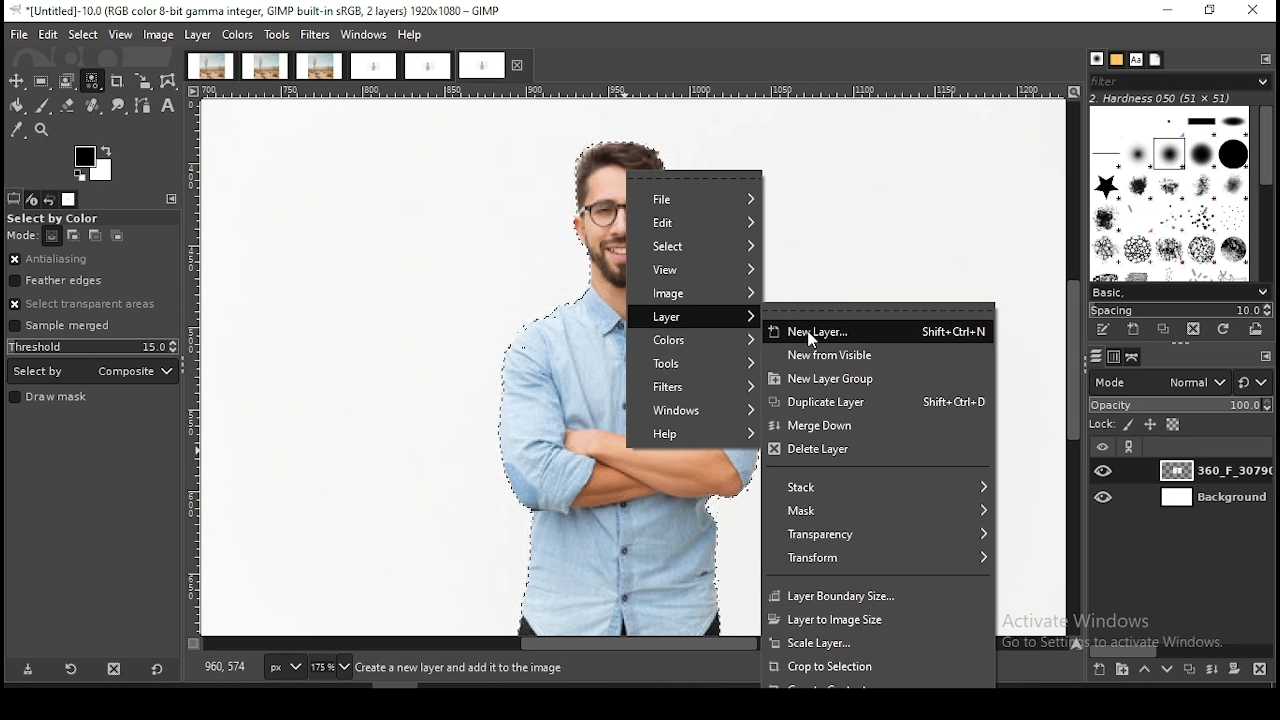 This screenshot has height=720, width=1280. What do you see at coordinates (115, 237) in the screenshot?
I see `intersect with the current selection` at bounding box center [115, 237].